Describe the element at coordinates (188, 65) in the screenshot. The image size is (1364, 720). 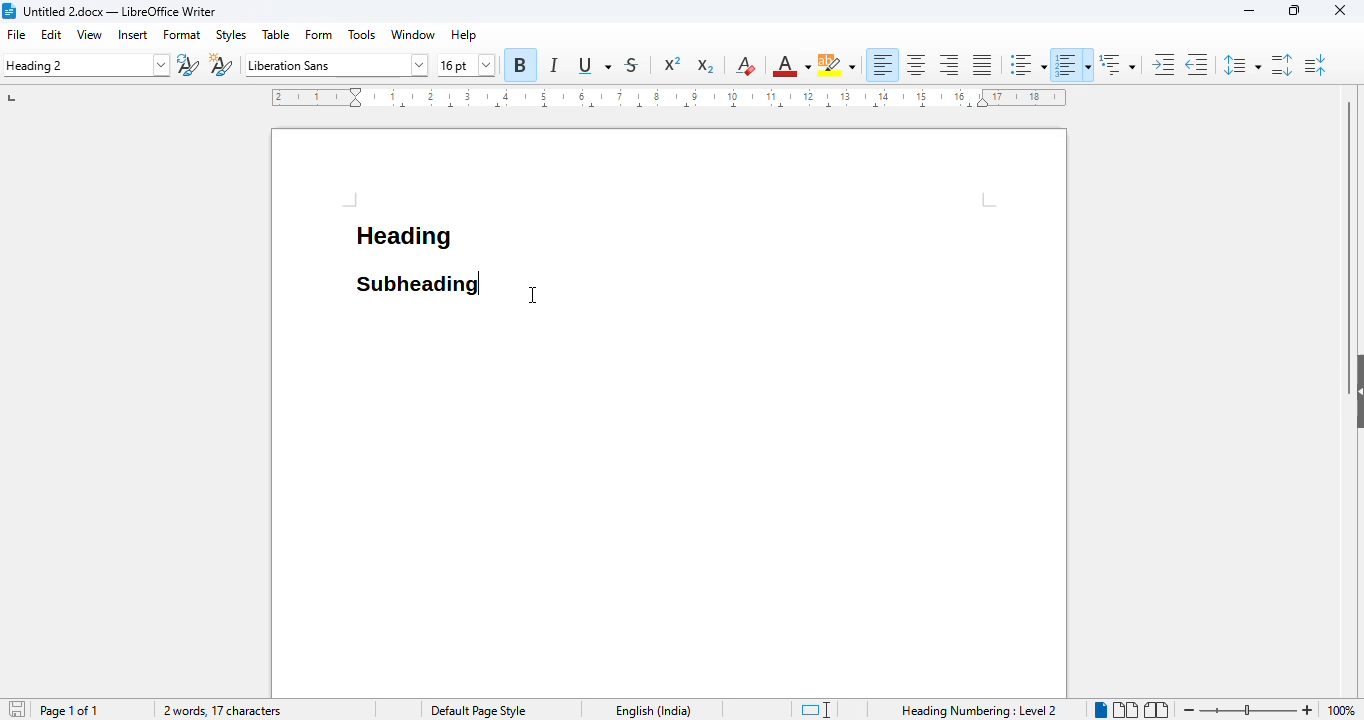
I see `update selected style` at that location.